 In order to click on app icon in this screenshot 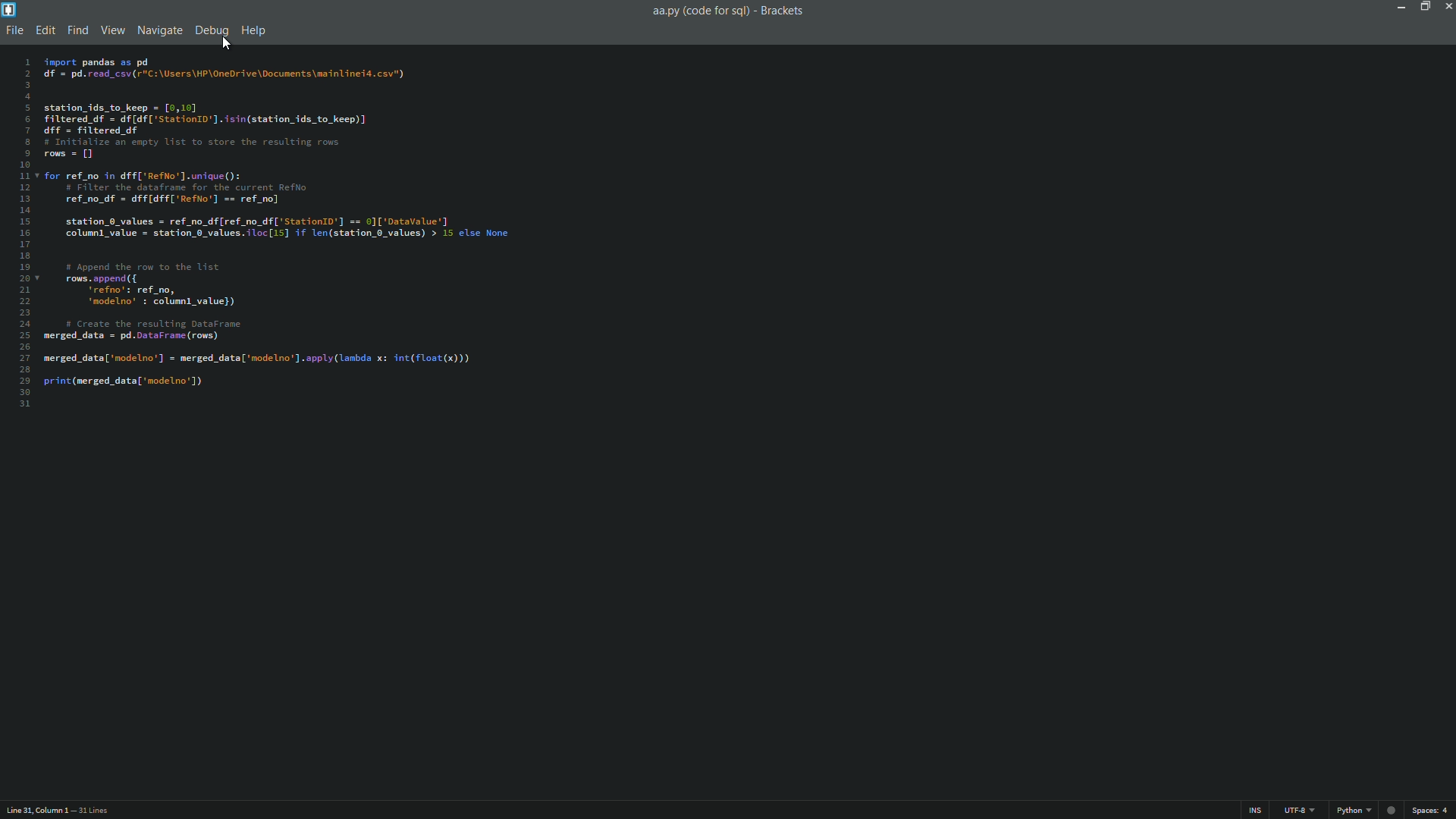, I will do `click(9, 9)`.